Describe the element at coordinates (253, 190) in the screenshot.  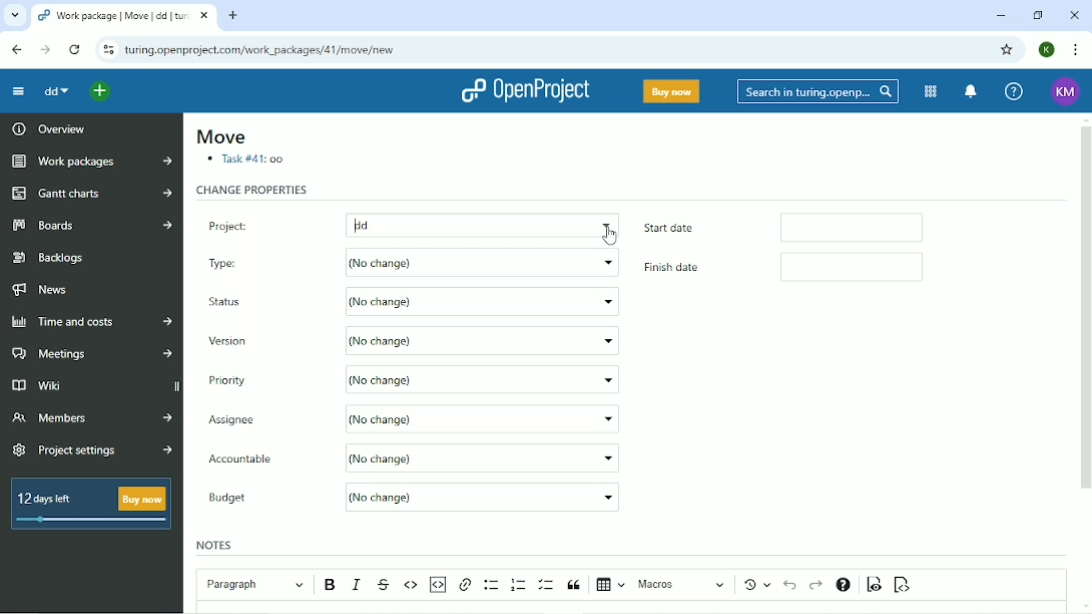
I see `Change properties` at that location.